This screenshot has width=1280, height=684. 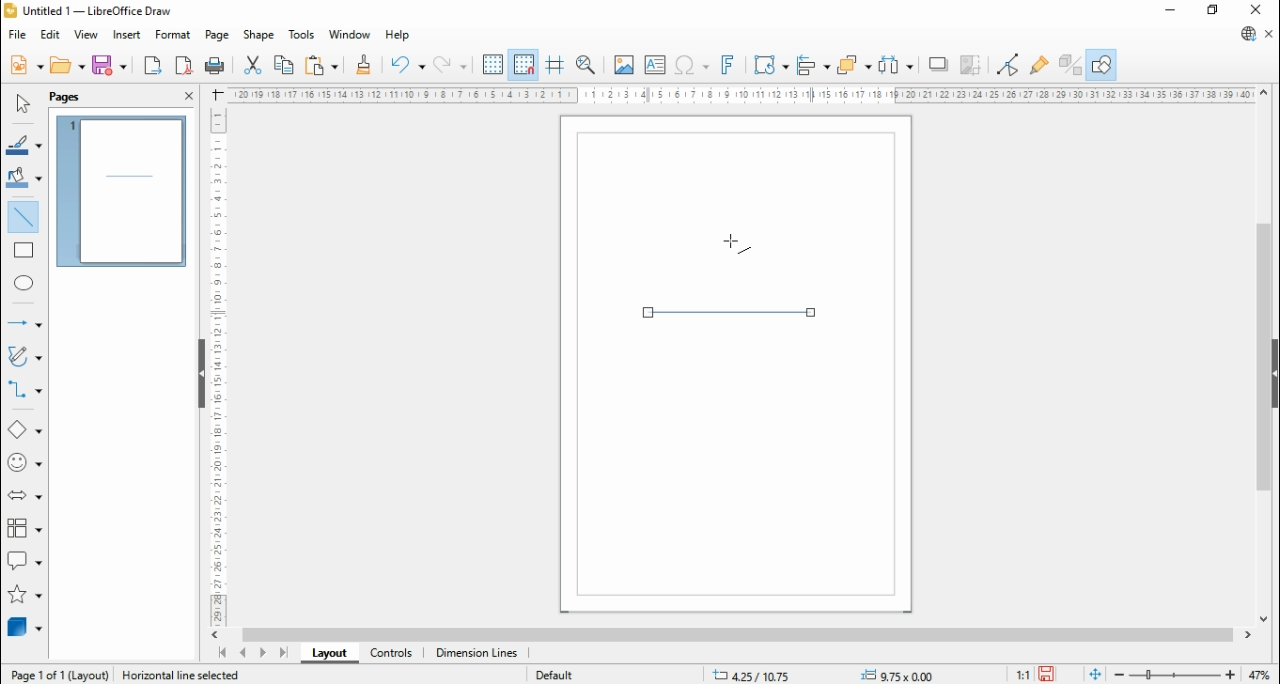 What do you see at coordinates (126, 35) in the screenshot?
I see `insert` at bounding box center [126, 35].